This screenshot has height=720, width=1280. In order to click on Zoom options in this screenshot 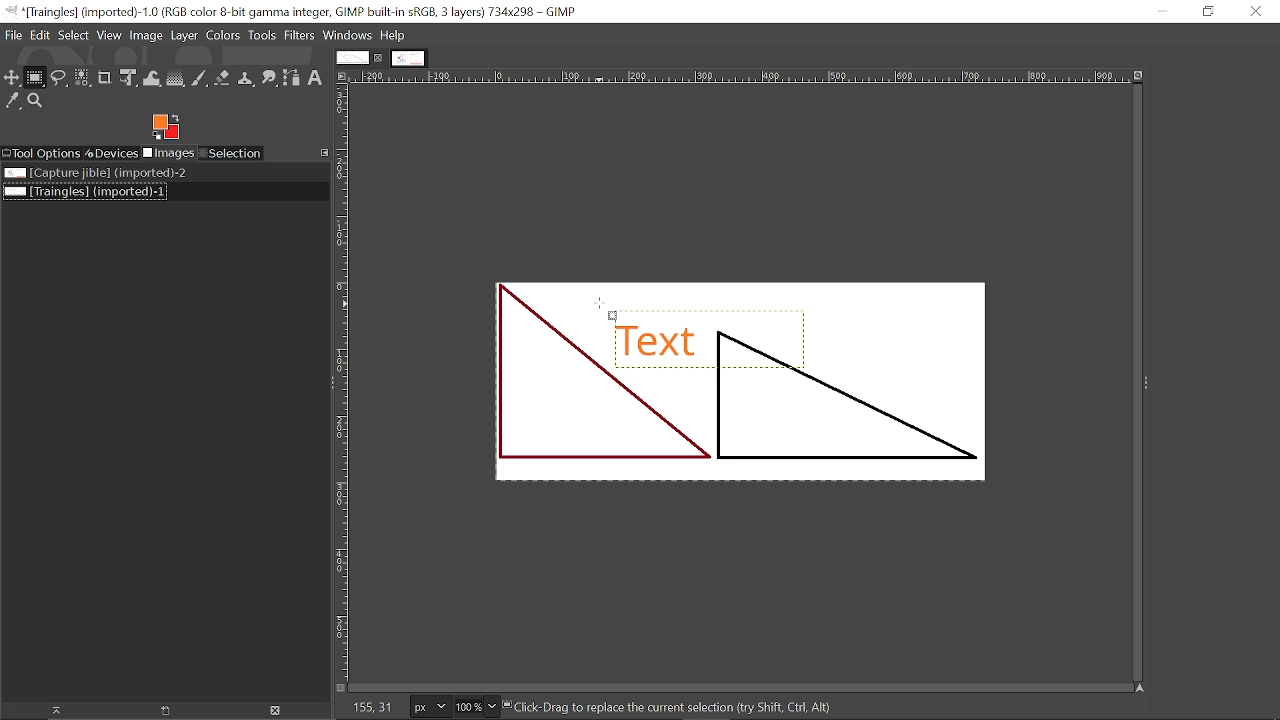, I will do `click(494, 707)`.